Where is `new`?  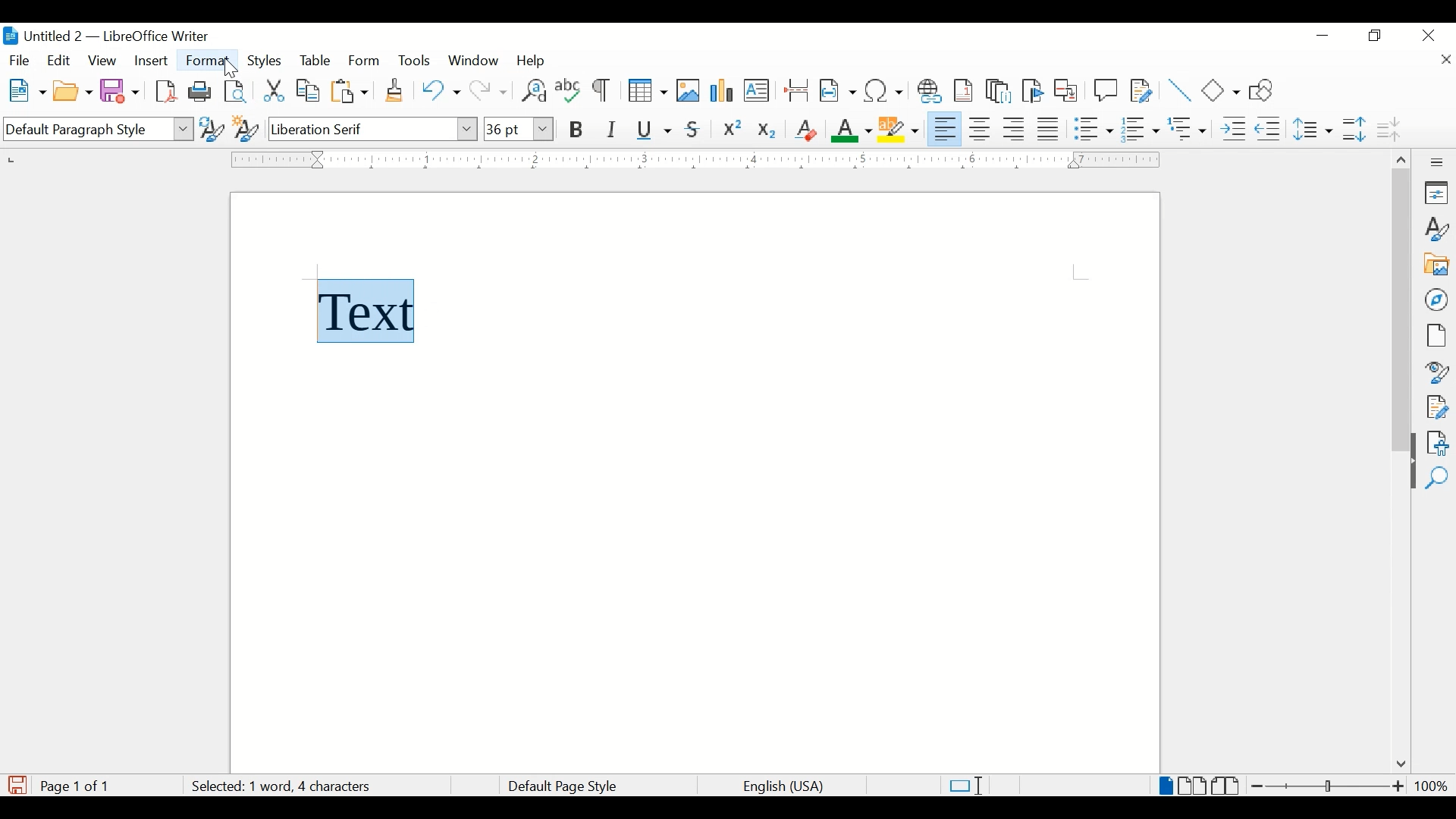 new is located at coordinates (28, 90).